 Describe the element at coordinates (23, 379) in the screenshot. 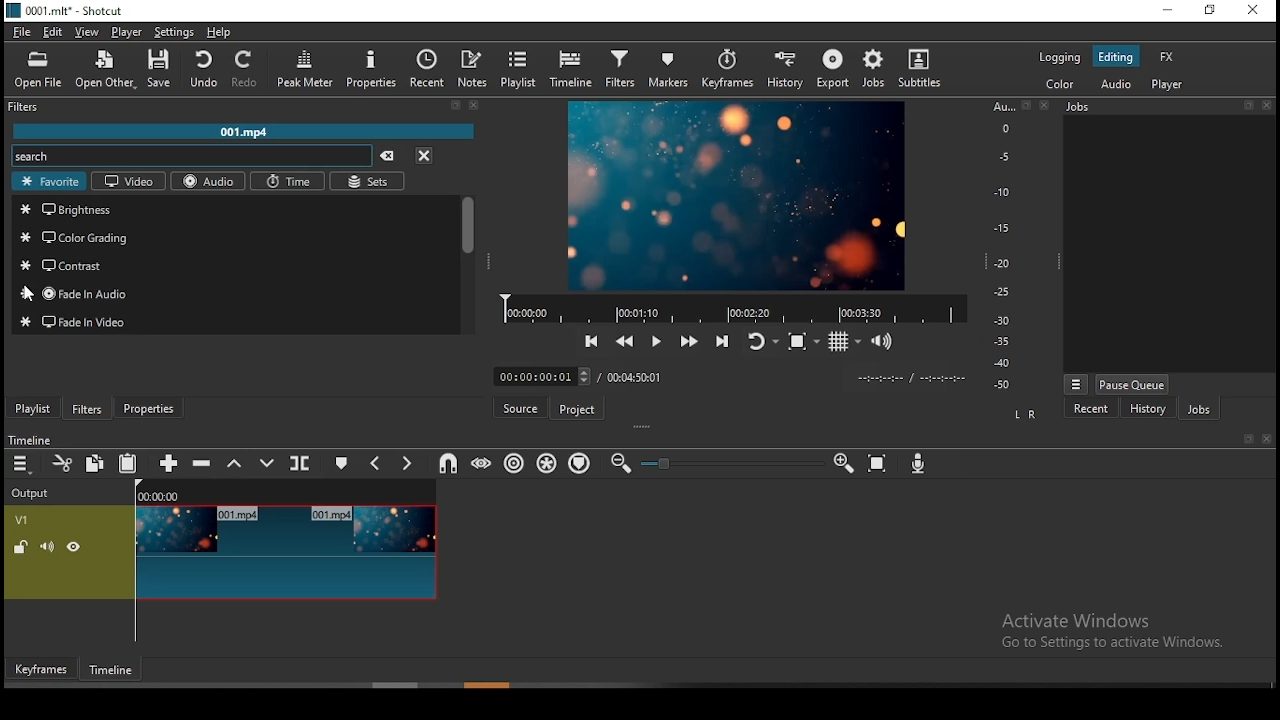

I see `timeline menu` at that location.